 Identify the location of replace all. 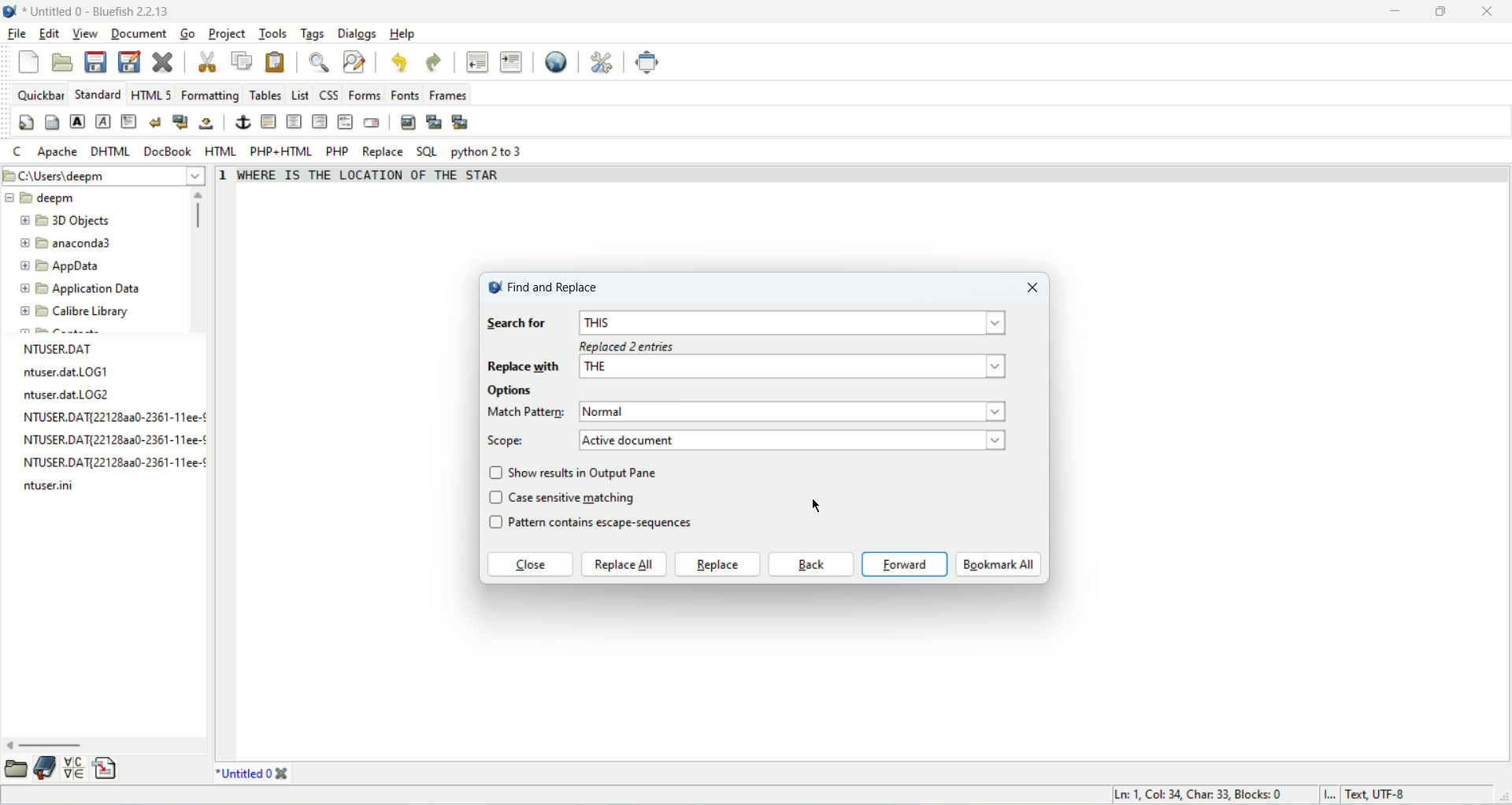
(624, 565).